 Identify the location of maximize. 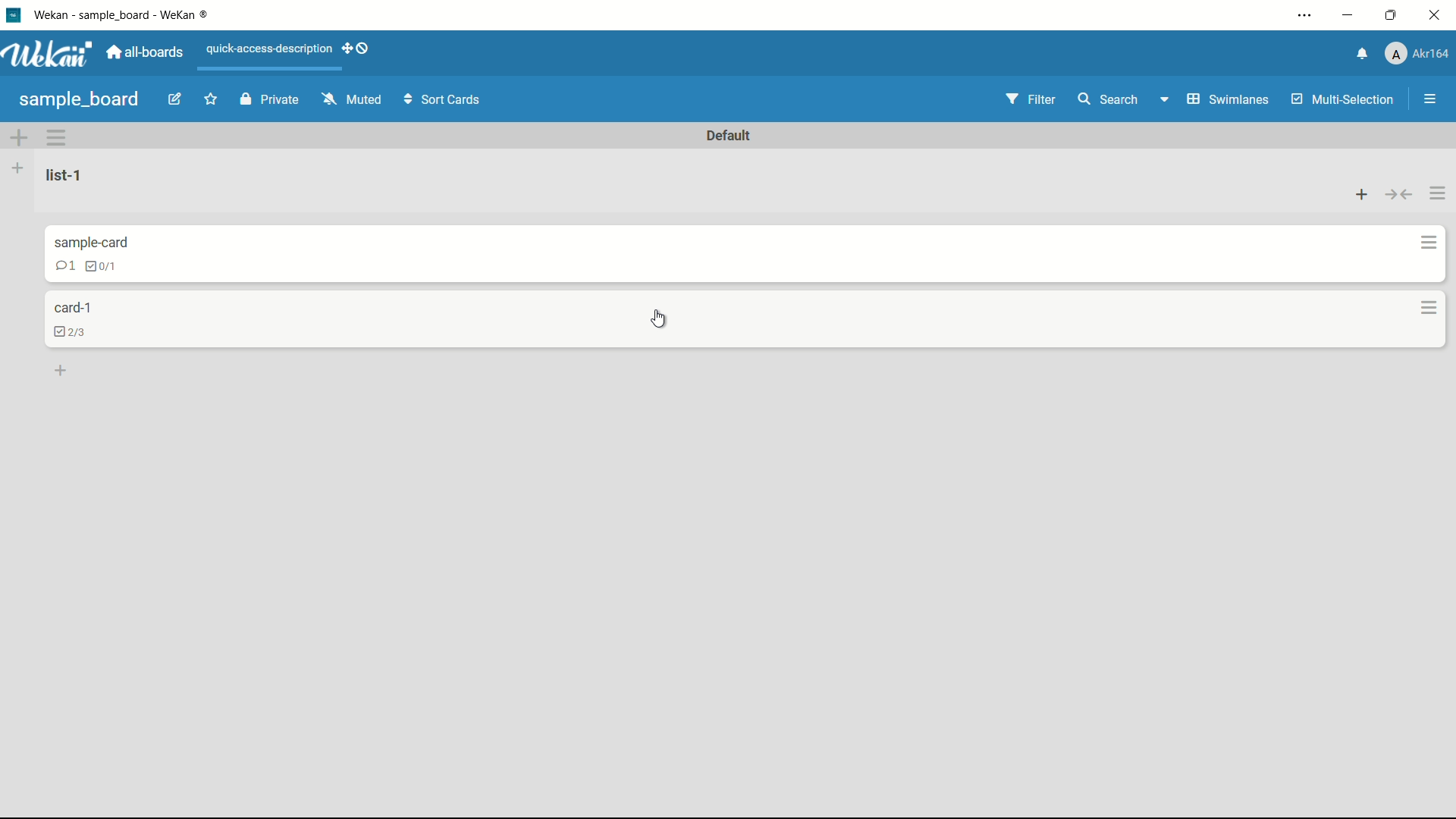
(1392, 16).